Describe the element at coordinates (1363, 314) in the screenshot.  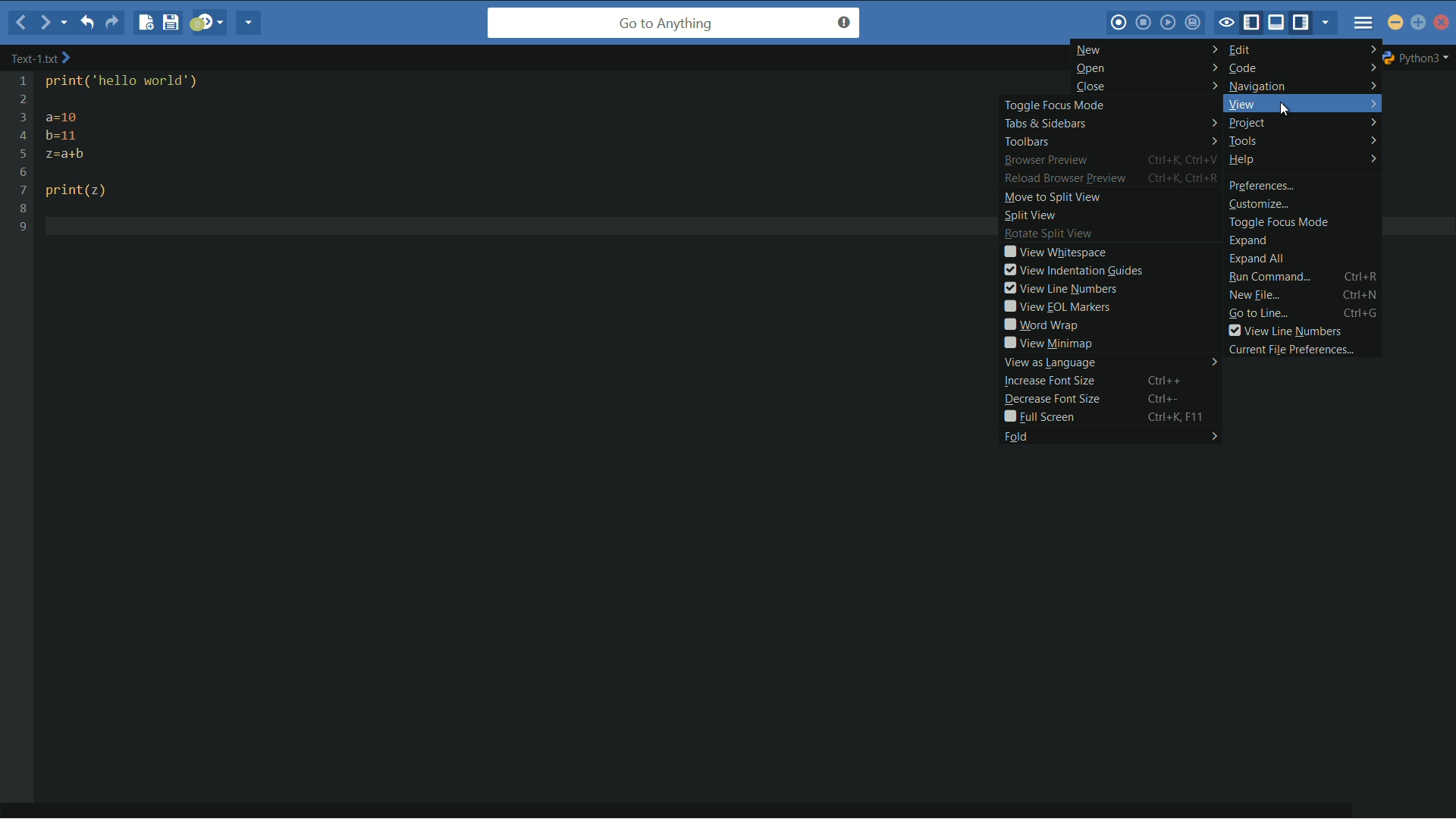
I see `ctrl+G` at that location.